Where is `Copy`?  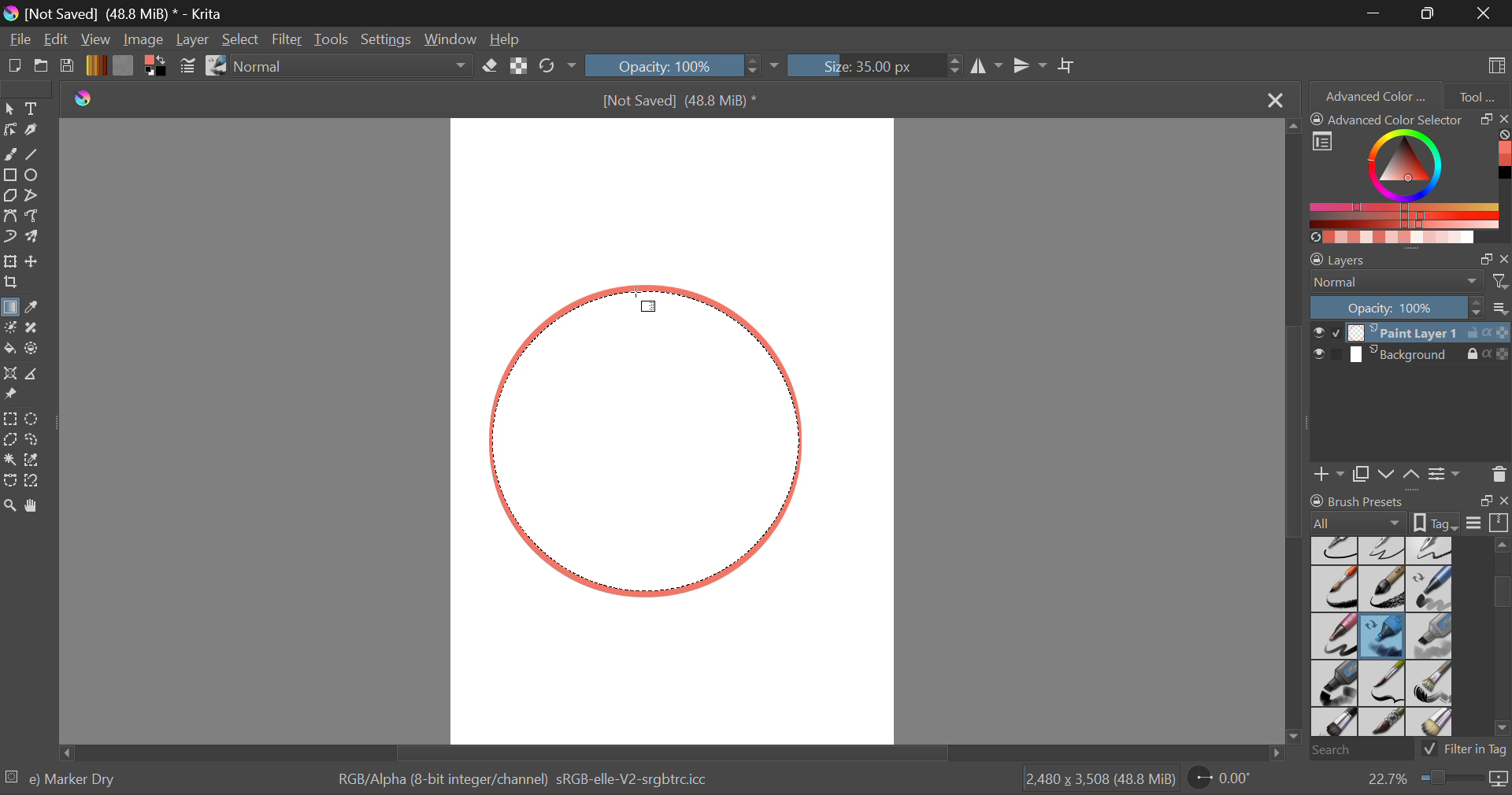 Copy is located at coordinates (1364, 471).